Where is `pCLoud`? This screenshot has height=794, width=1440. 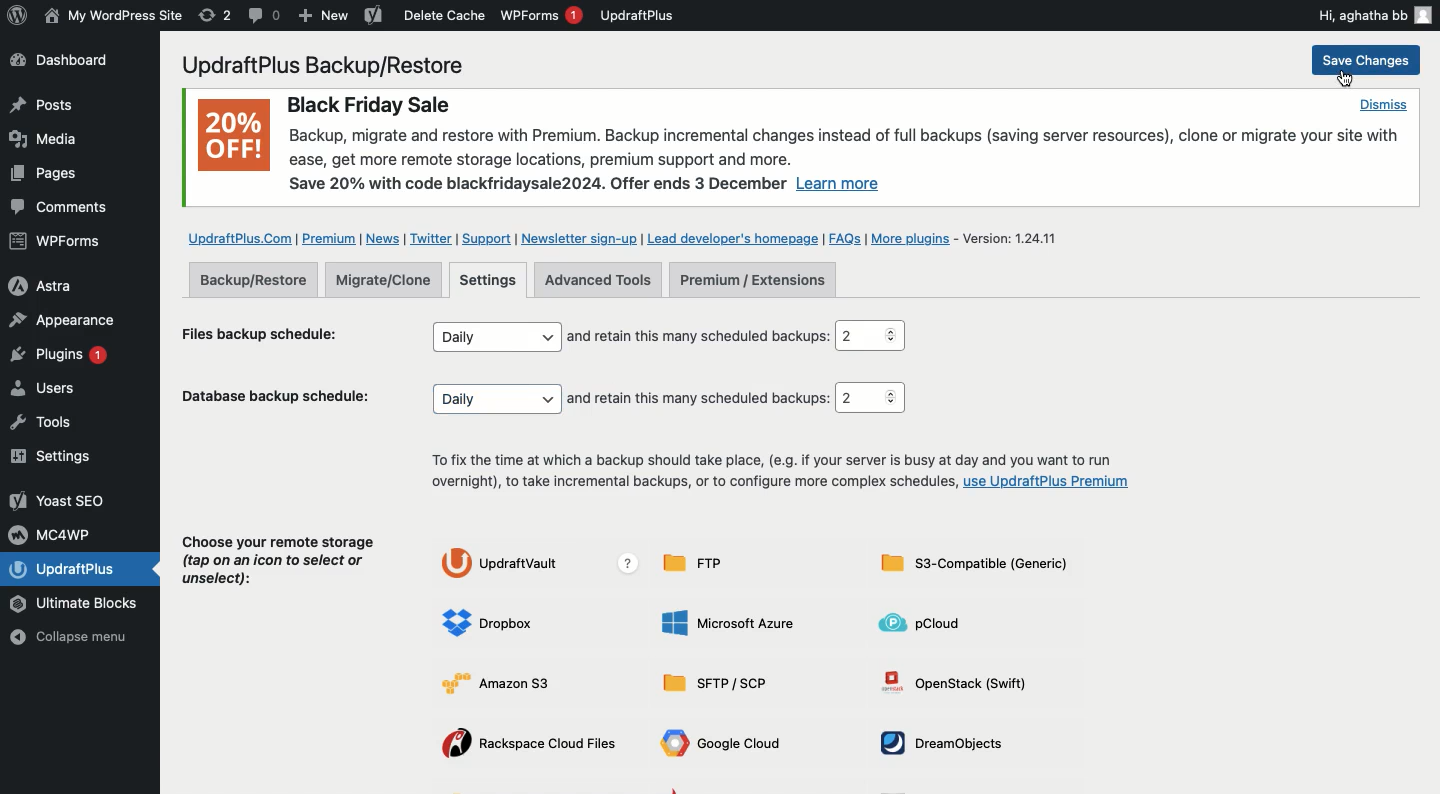 pCLoud is located at coordinates (928, 622).